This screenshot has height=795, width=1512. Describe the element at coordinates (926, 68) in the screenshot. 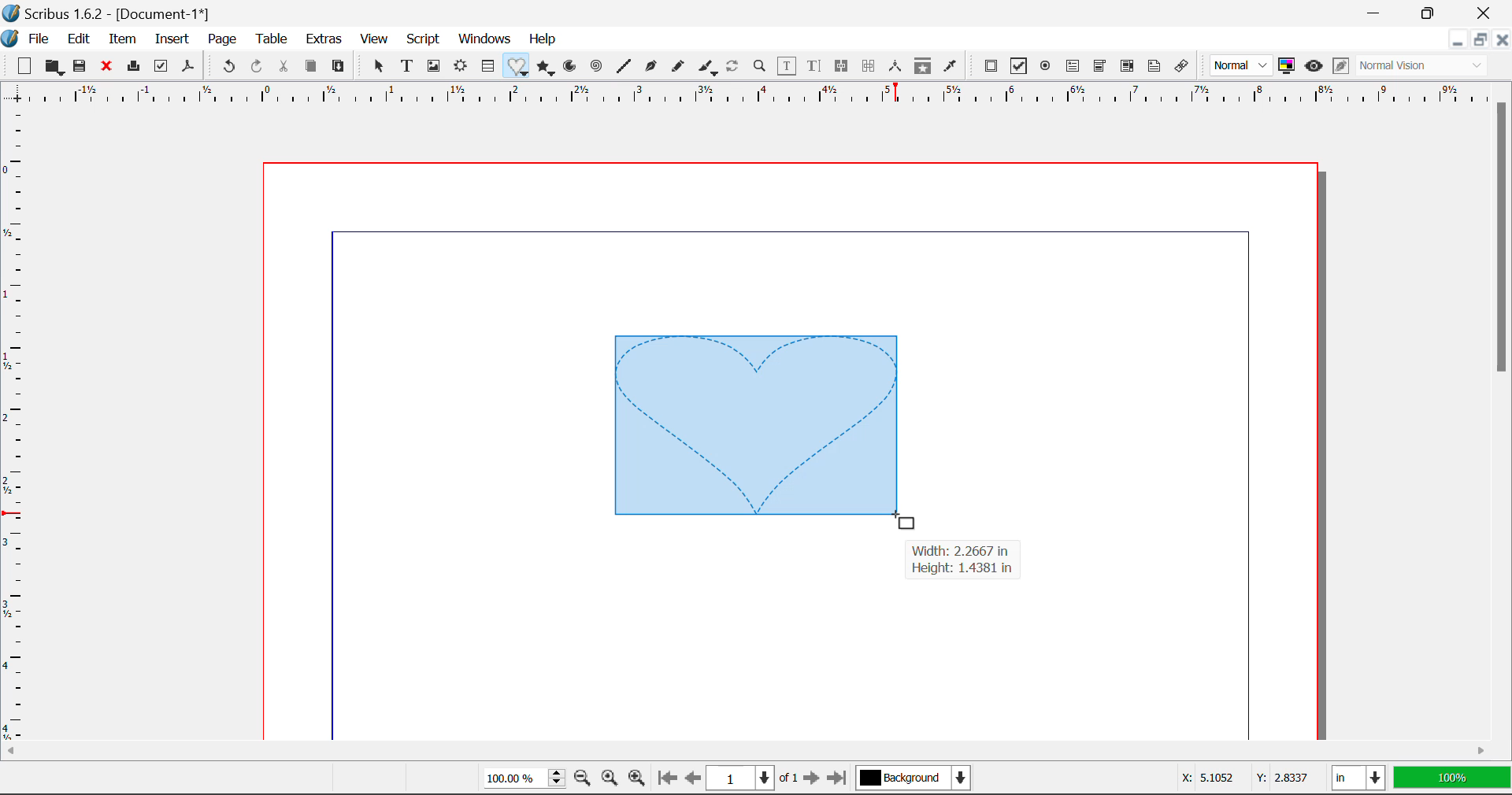

I see `Copy Item Properties` at that location.